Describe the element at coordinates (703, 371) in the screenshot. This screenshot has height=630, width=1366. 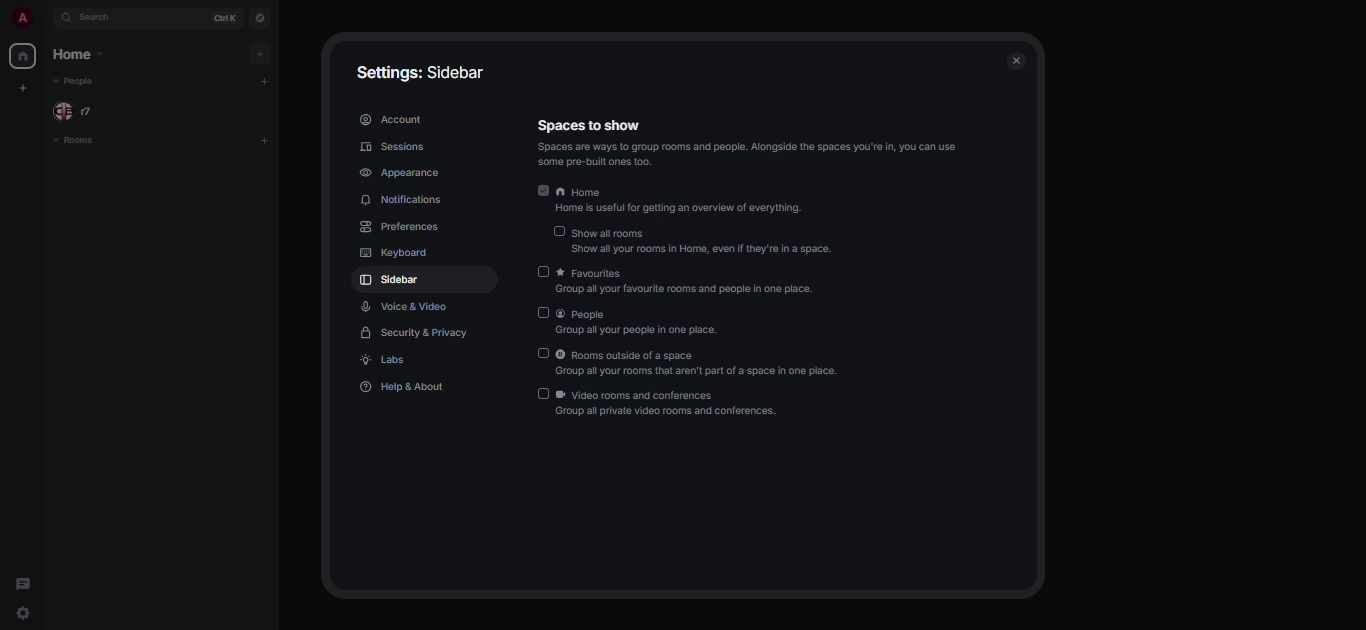
I see `Group all your rooms that aren't part of a space in one place.` at that location.